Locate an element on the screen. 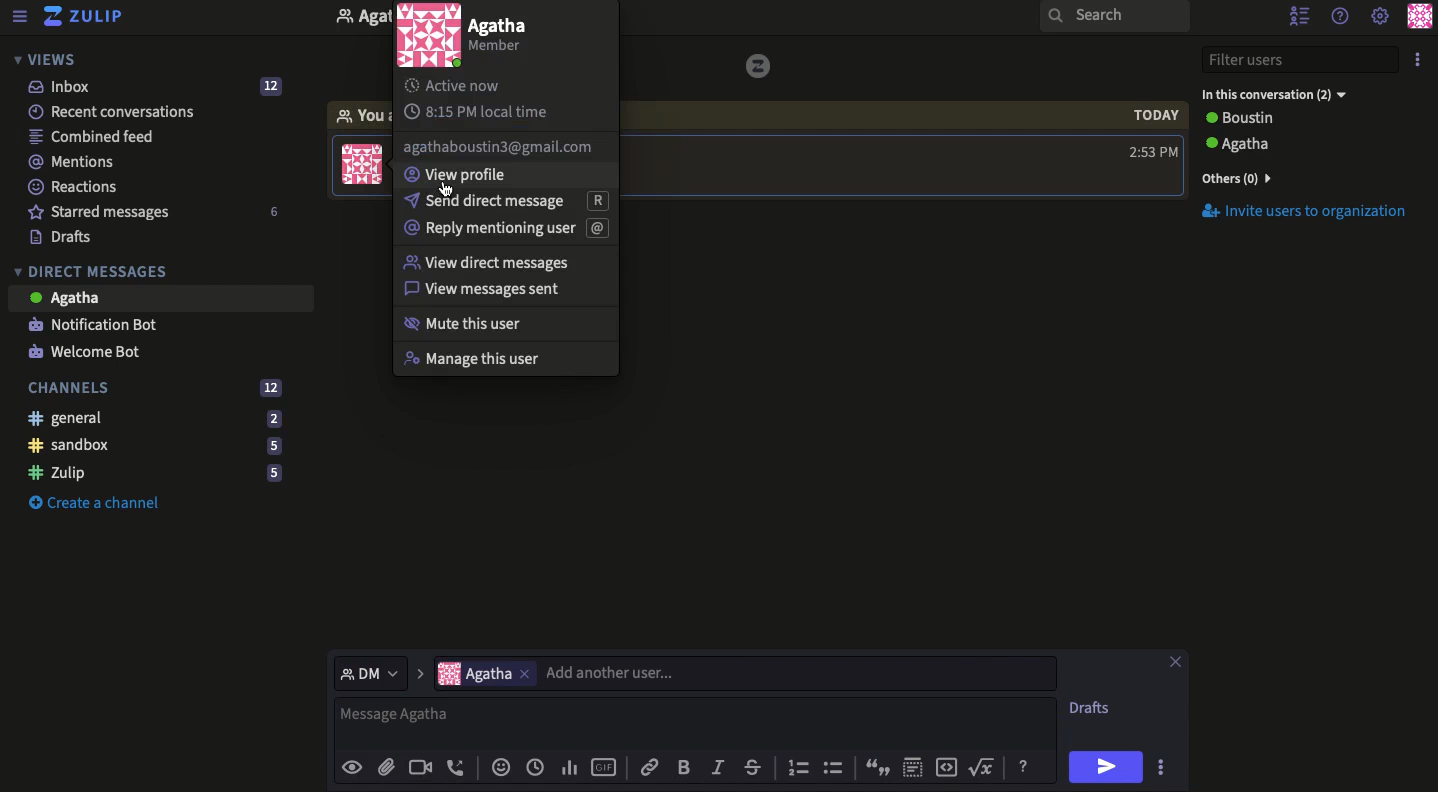 Image resolution: width=1438 pixels, height=792 pixels. GIF is located at coordinates (607, 767).